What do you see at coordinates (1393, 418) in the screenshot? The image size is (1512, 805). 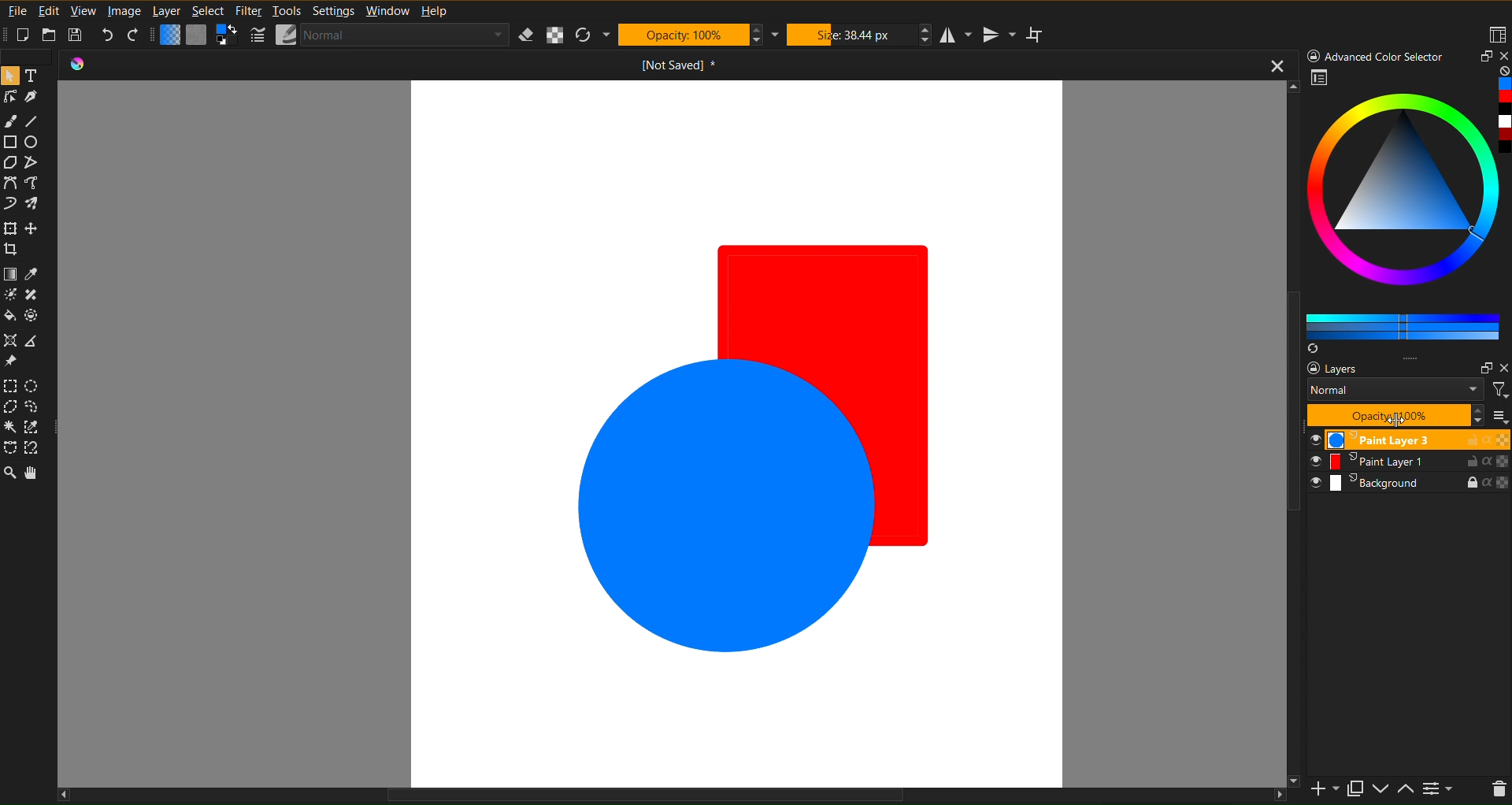 I see `cursor` at bounding box center [1393, 418].